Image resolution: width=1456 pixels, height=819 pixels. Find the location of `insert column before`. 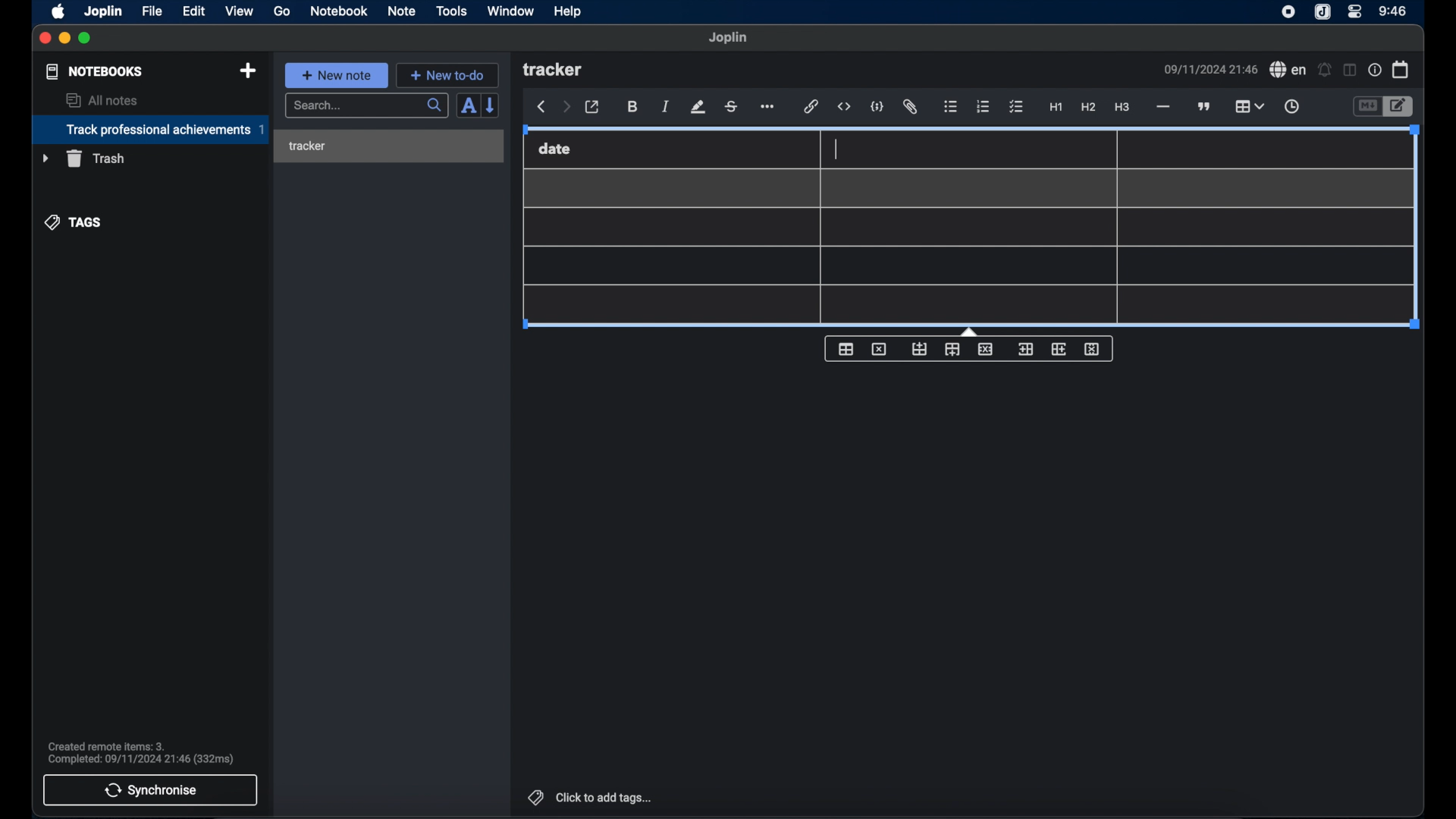

insert column before is located at coordinates (1025, 349).